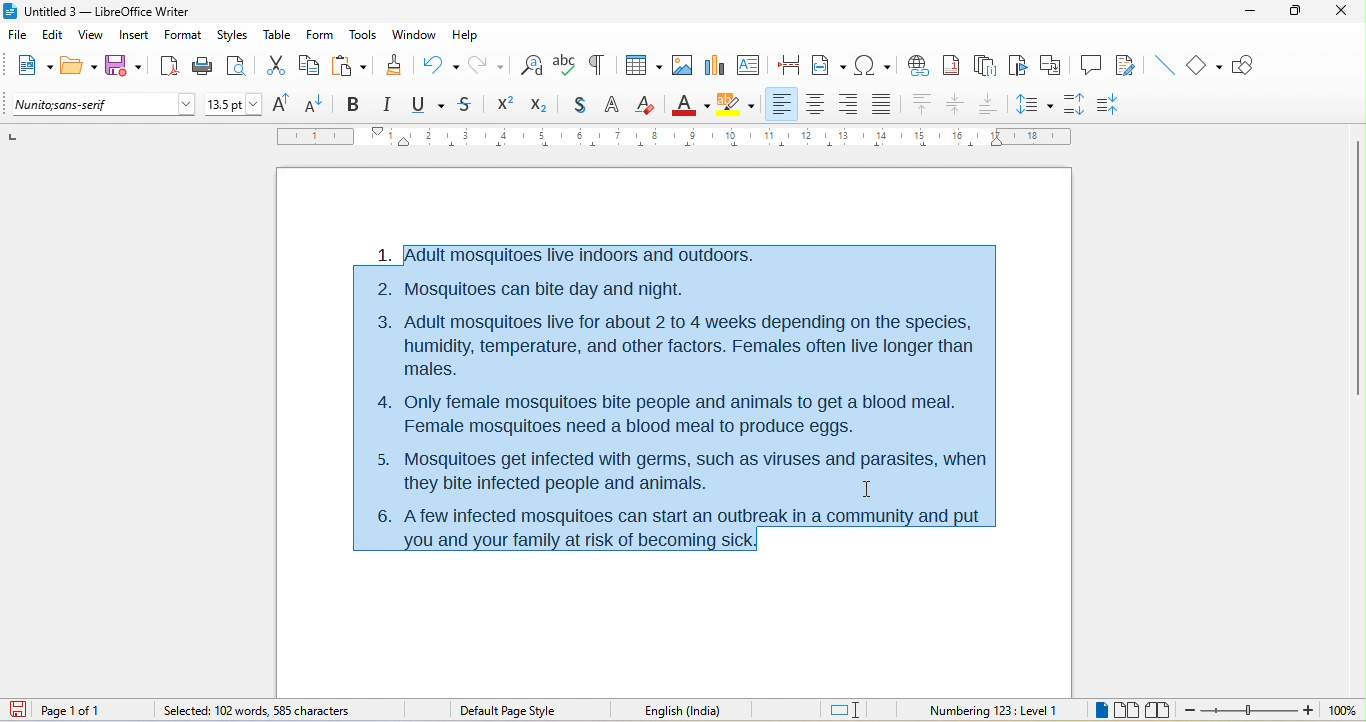 The height and width of the screenshot is (722, 1366). Describe the element at coordinates (1157, 709) in the screenshot. I see `book view` at that location.